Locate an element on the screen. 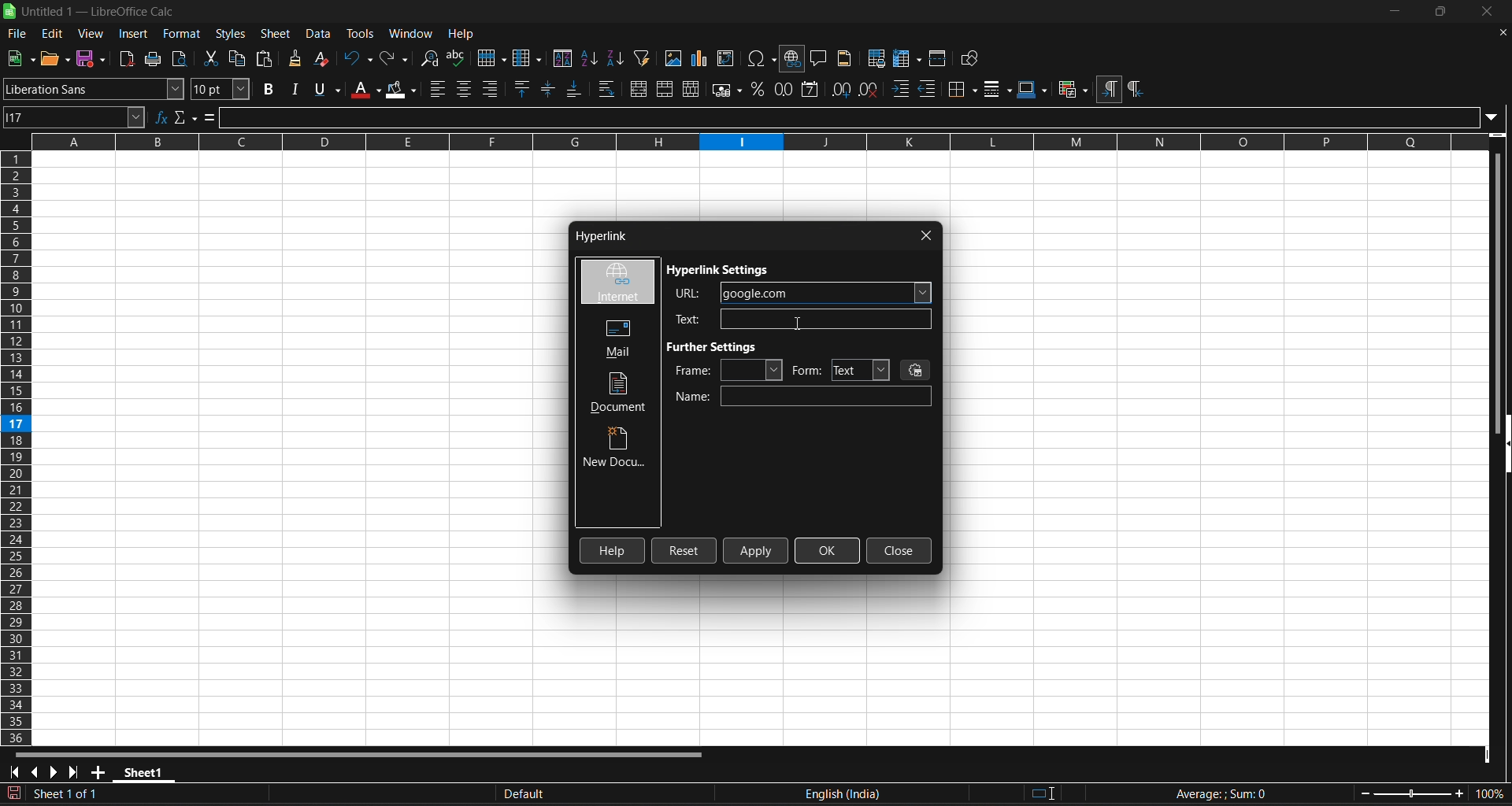  close document is located at coordinates (1502, 33).